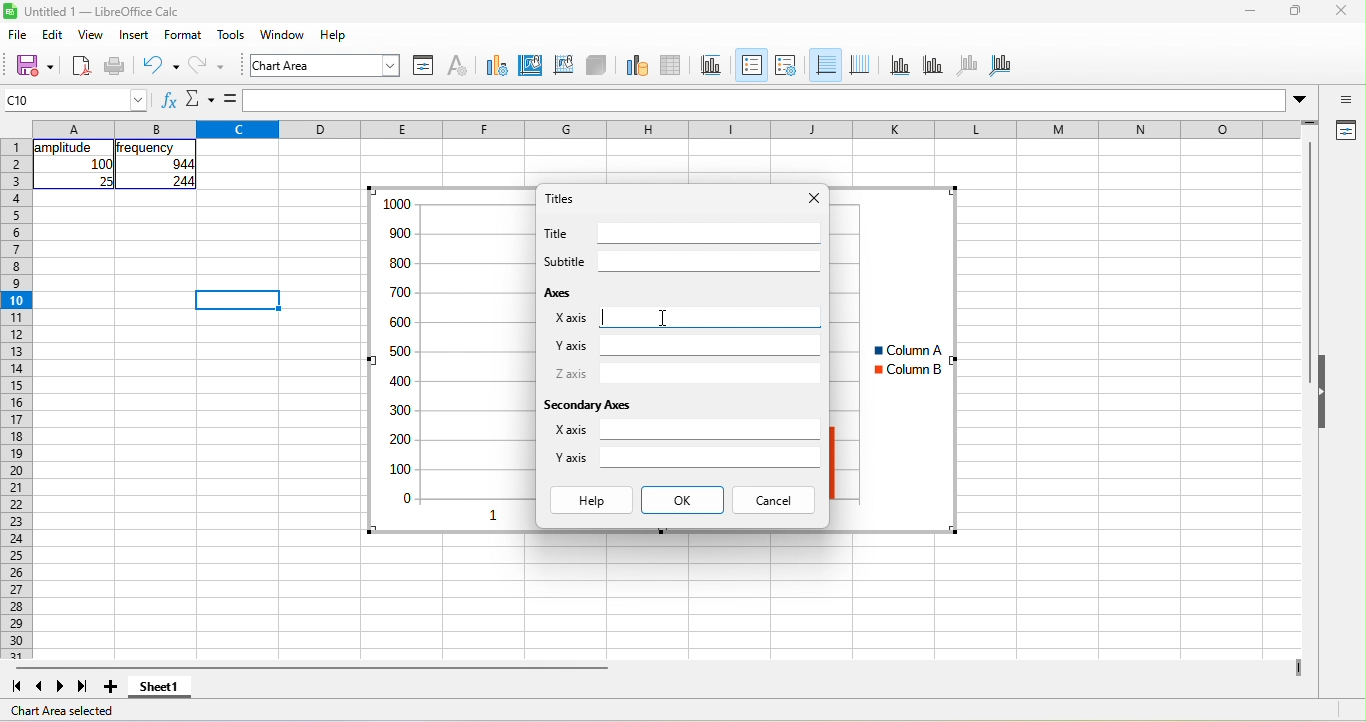 This screenshot has width=1366, height=722. I want to click on X axis, so click(571, 318).